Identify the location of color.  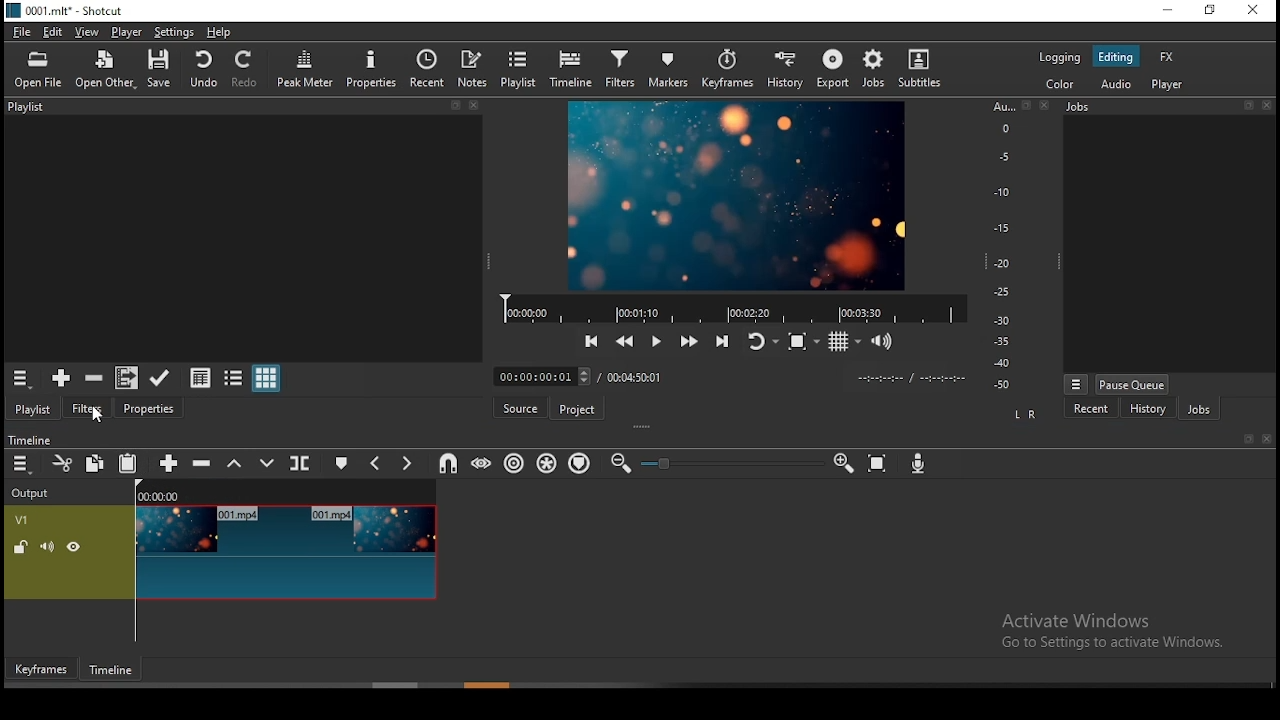
(1056, 84).